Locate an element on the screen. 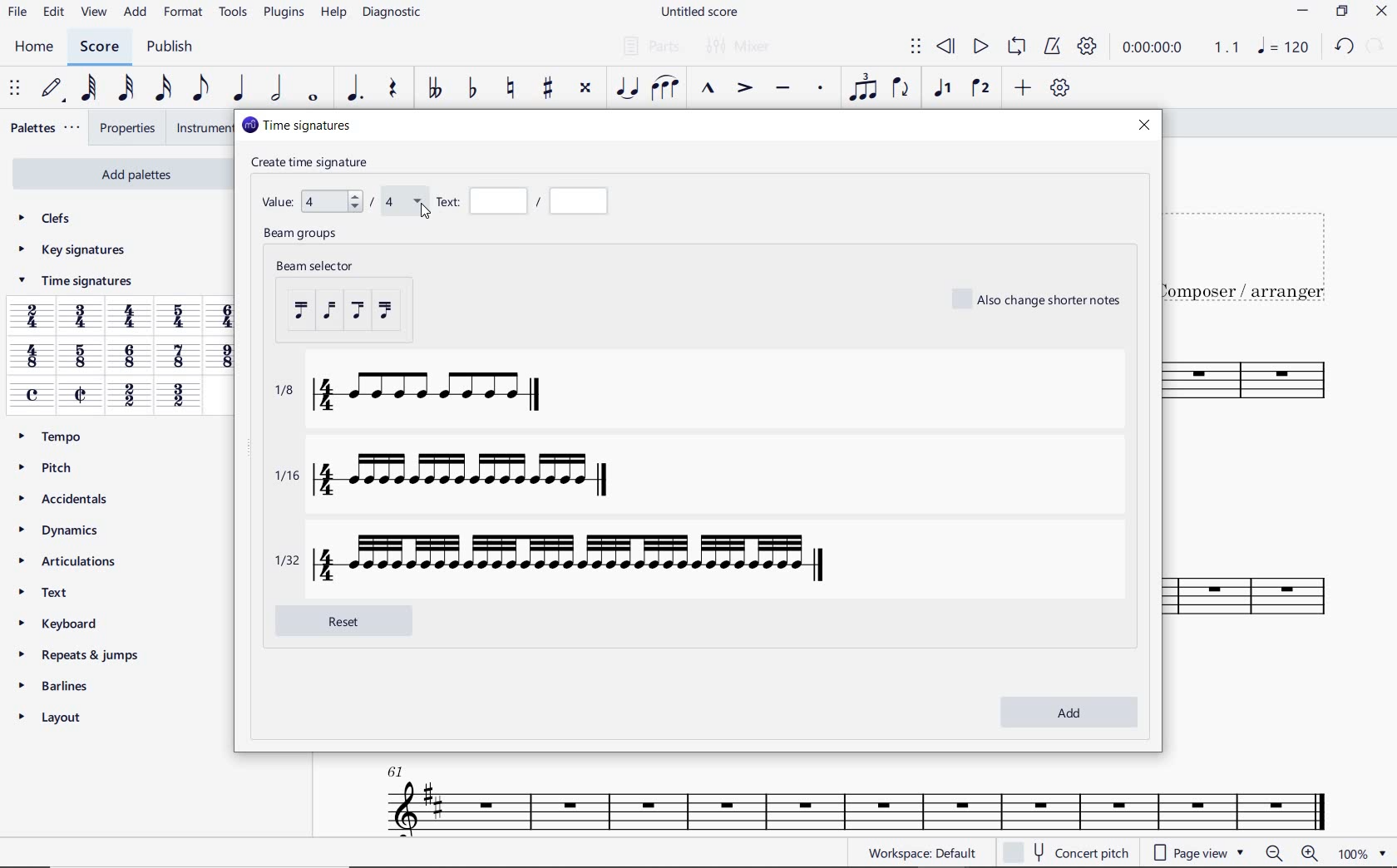  beam groups is located at coordinates (304, 235).